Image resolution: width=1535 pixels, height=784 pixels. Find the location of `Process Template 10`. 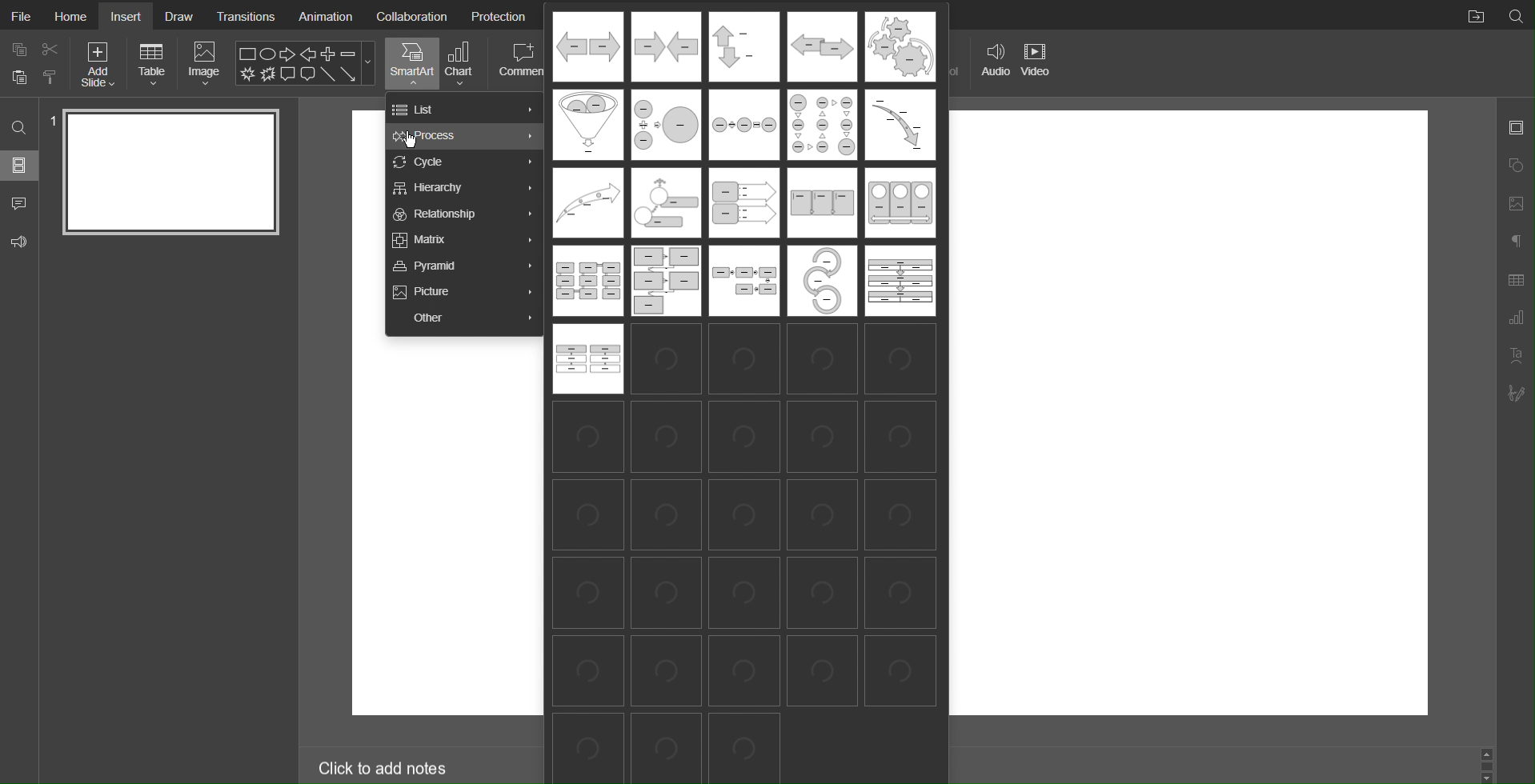

Process Template 10 is located at coordinates (900, 126).